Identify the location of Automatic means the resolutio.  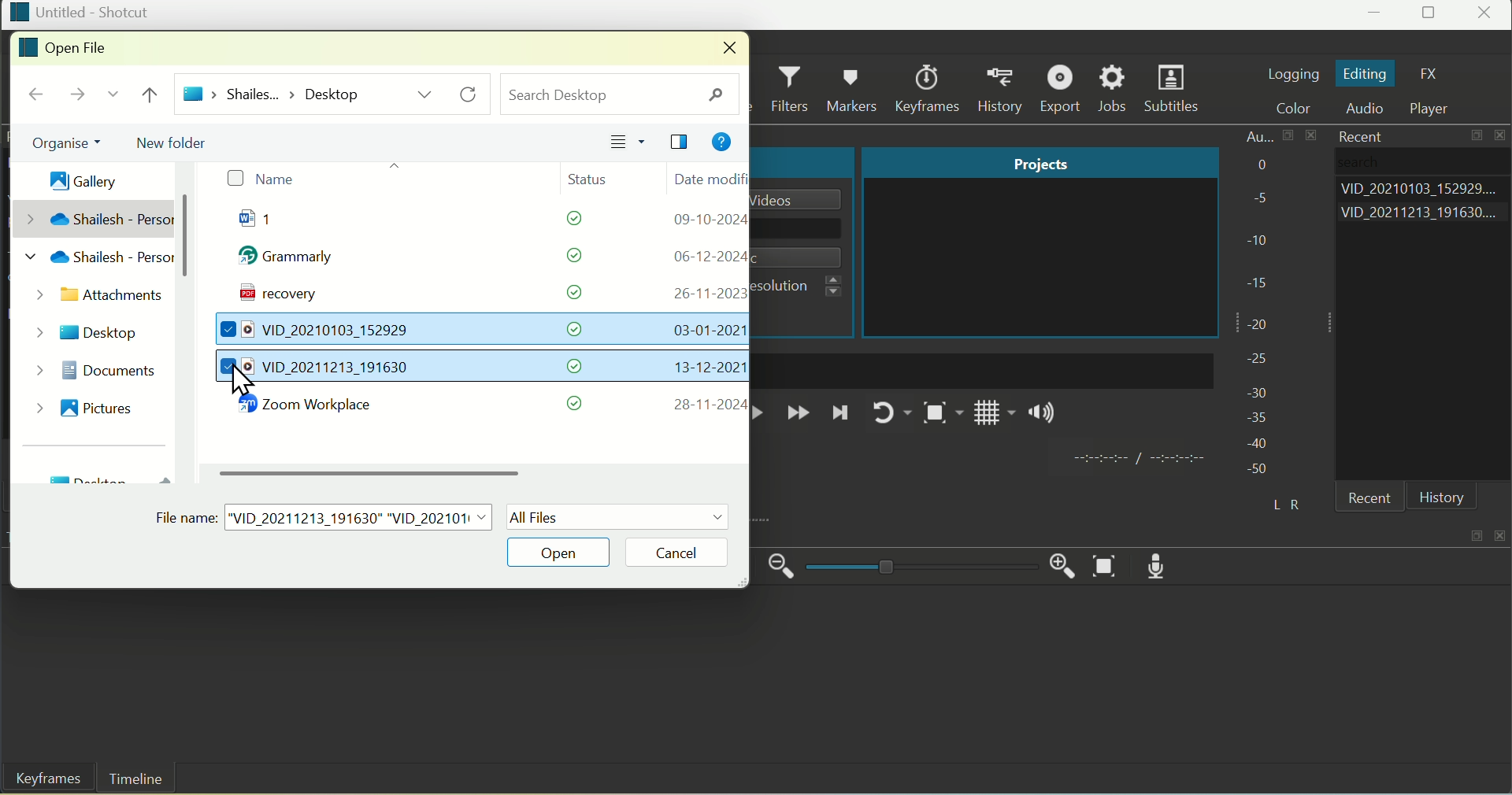
(804, 287).